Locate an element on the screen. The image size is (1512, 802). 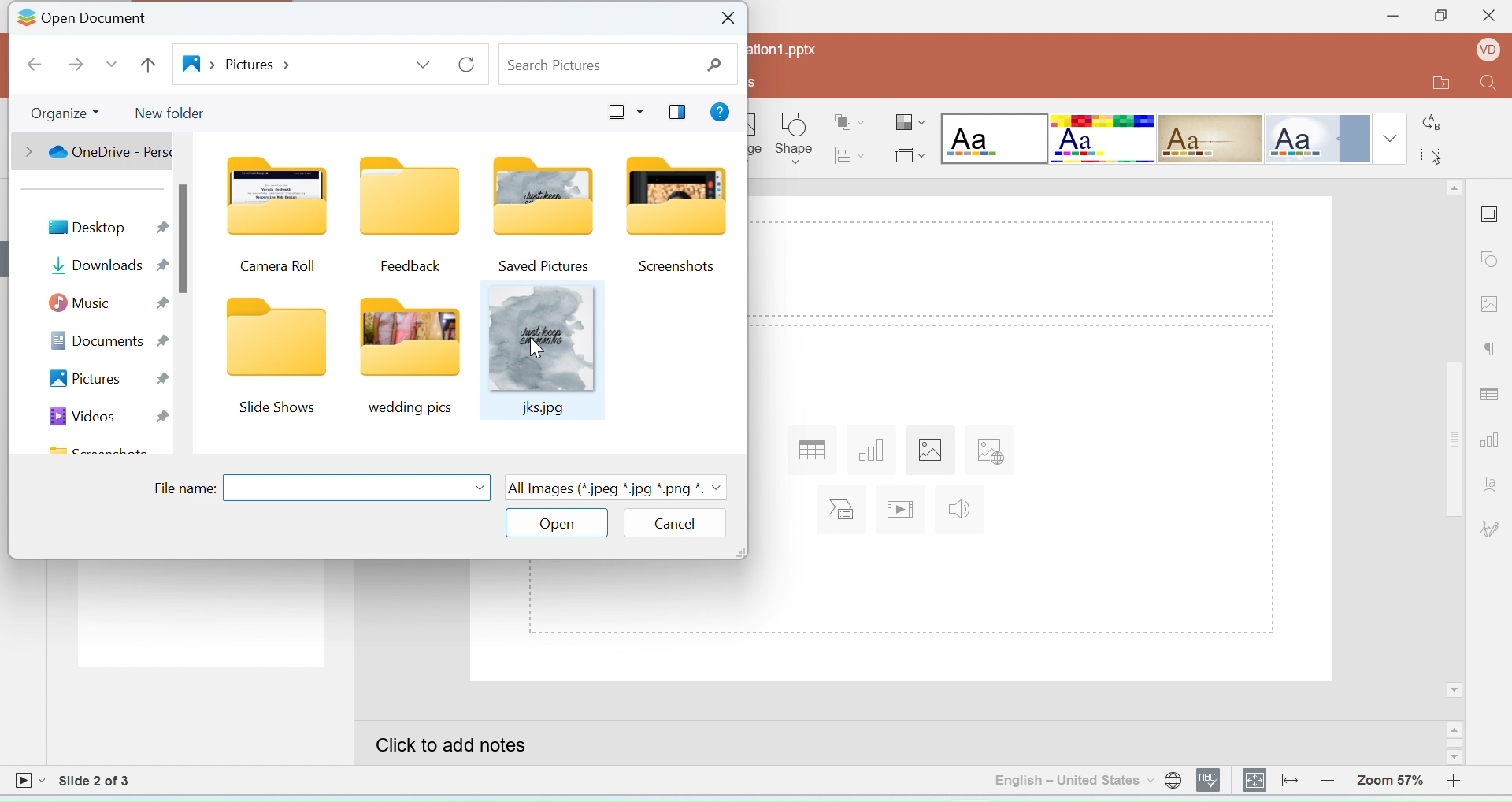
image file is located at coordinates (544, 352).